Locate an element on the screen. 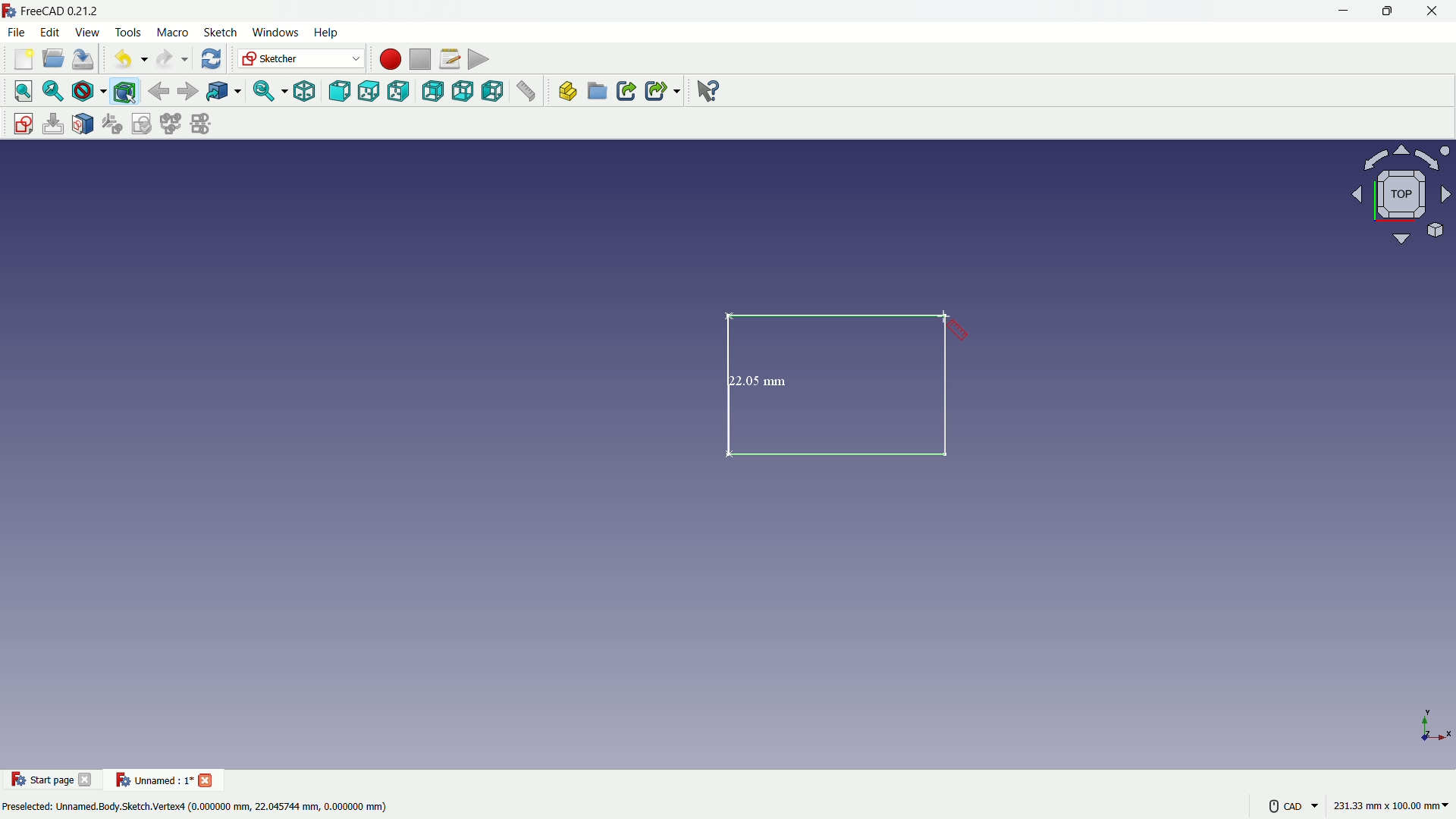 This screenshot has height=819, width=1456. create sketch is located at coordinates (19, 122).